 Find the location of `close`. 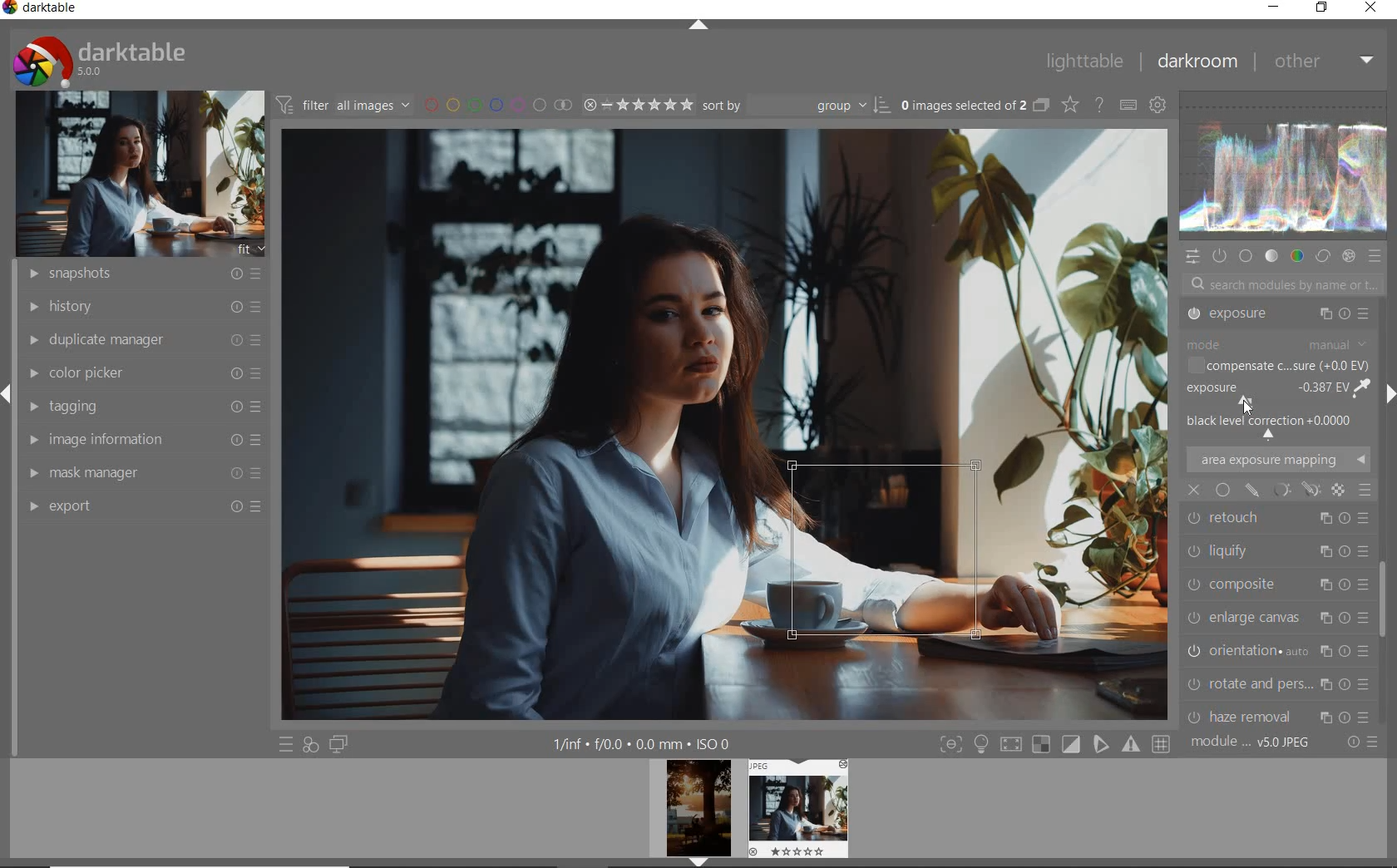

close is located at coordinates (1195, 490).